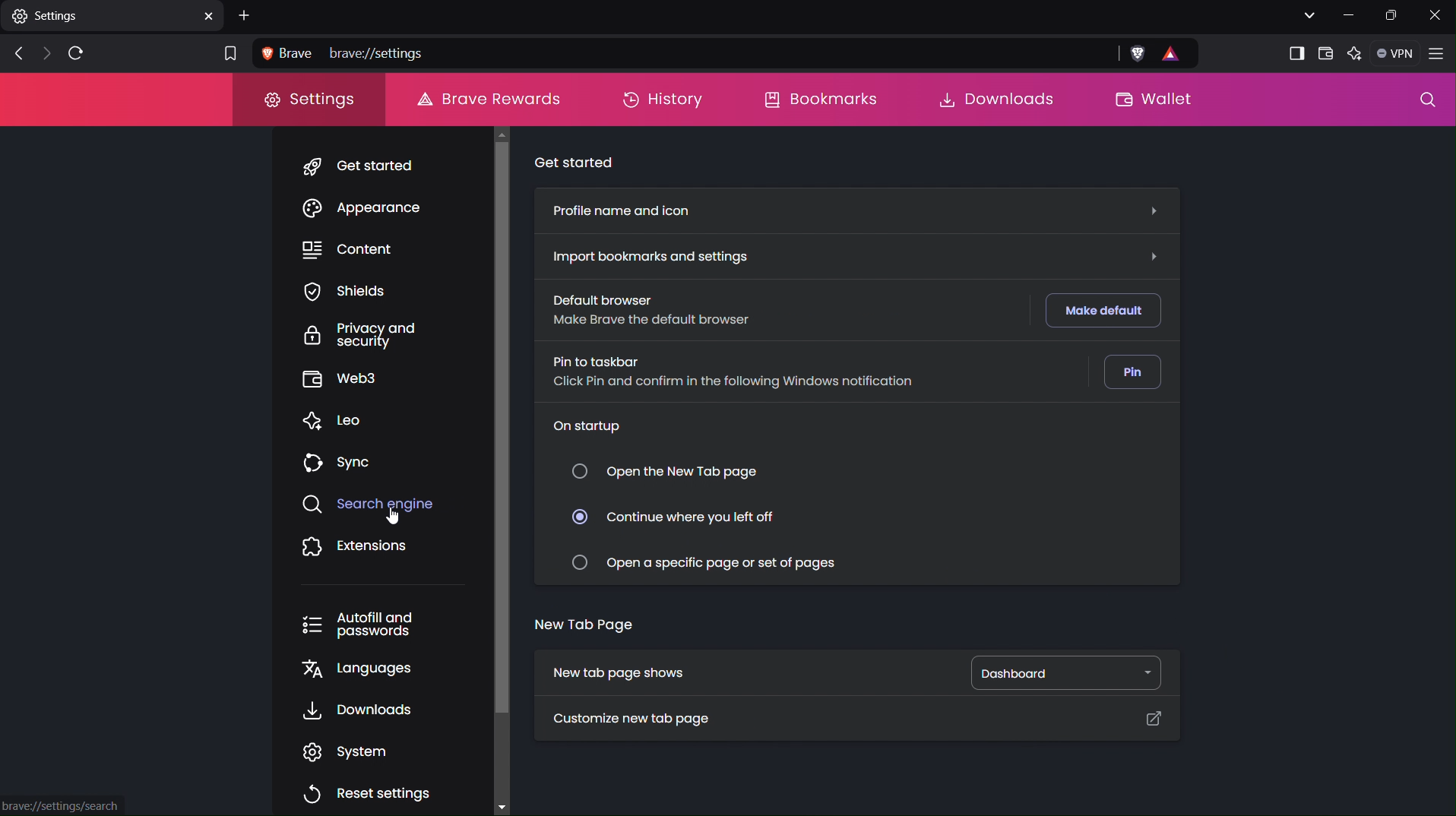  I want to click on brave://settings/search, so click(62, 806).